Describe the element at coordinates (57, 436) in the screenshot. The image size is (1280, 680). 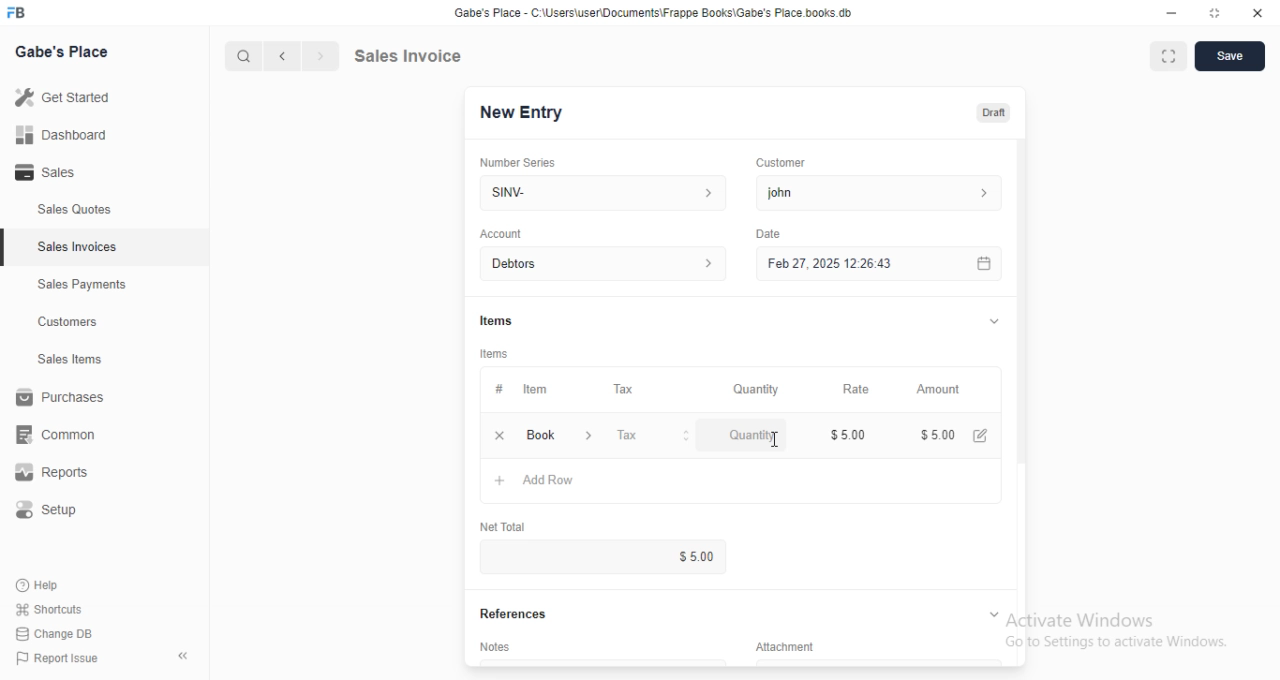
I see `common` at that location.